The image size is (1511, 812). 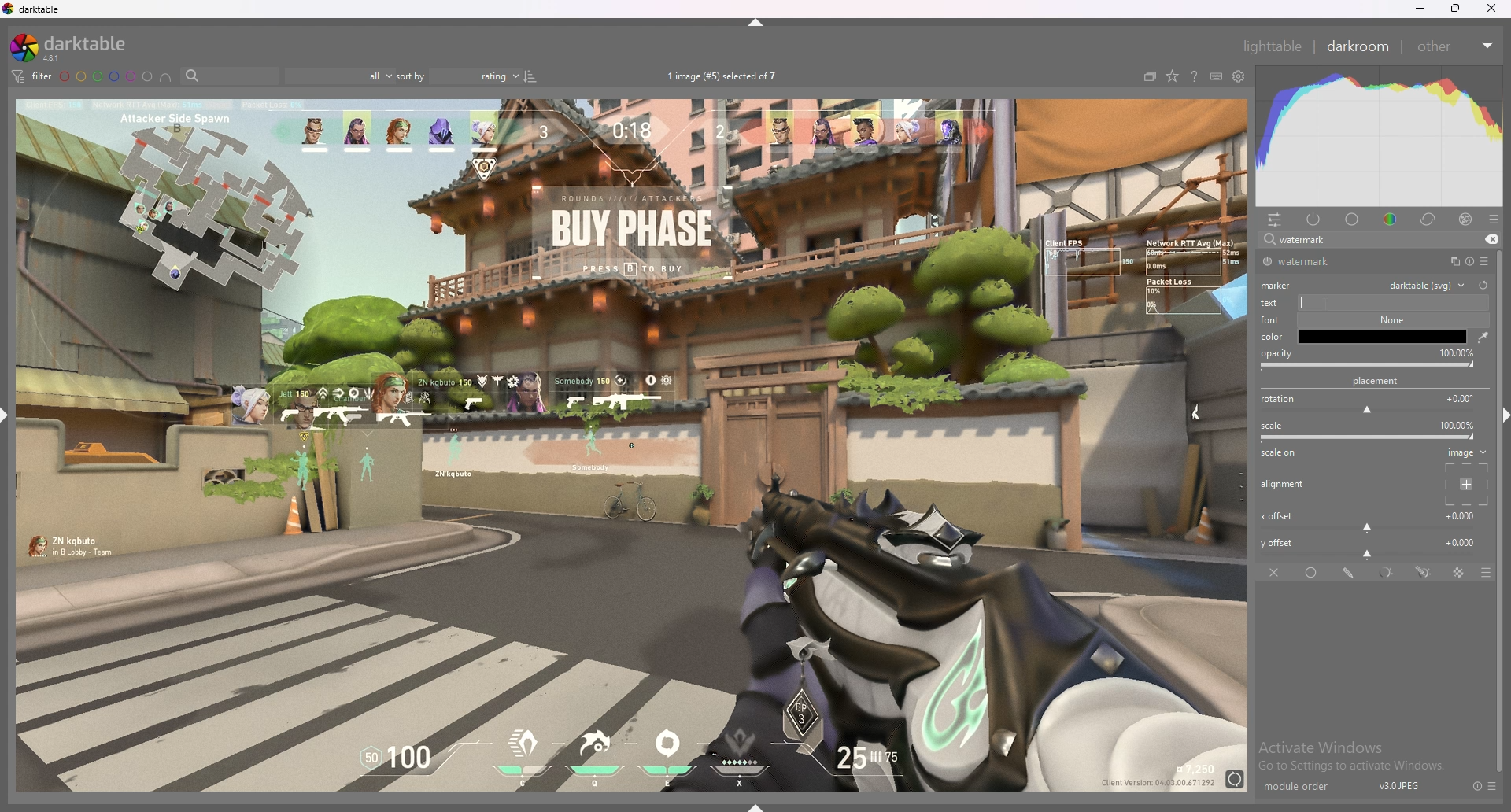 What do you see at coordinates (1371, 404) in the screenshot?
I see `rotation` at bounding box center [1371, 404].